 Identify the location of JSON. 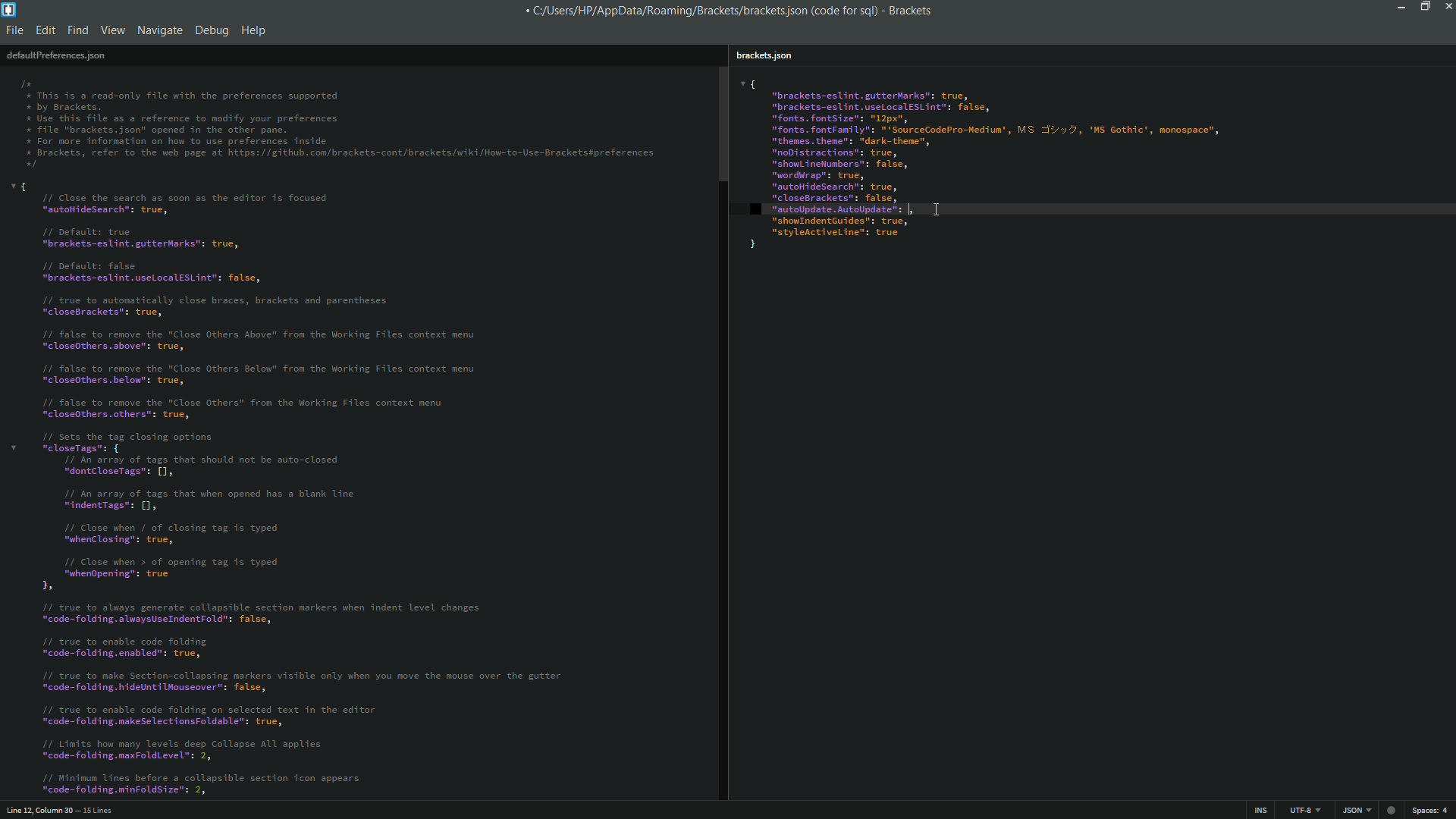
(1354, 810).